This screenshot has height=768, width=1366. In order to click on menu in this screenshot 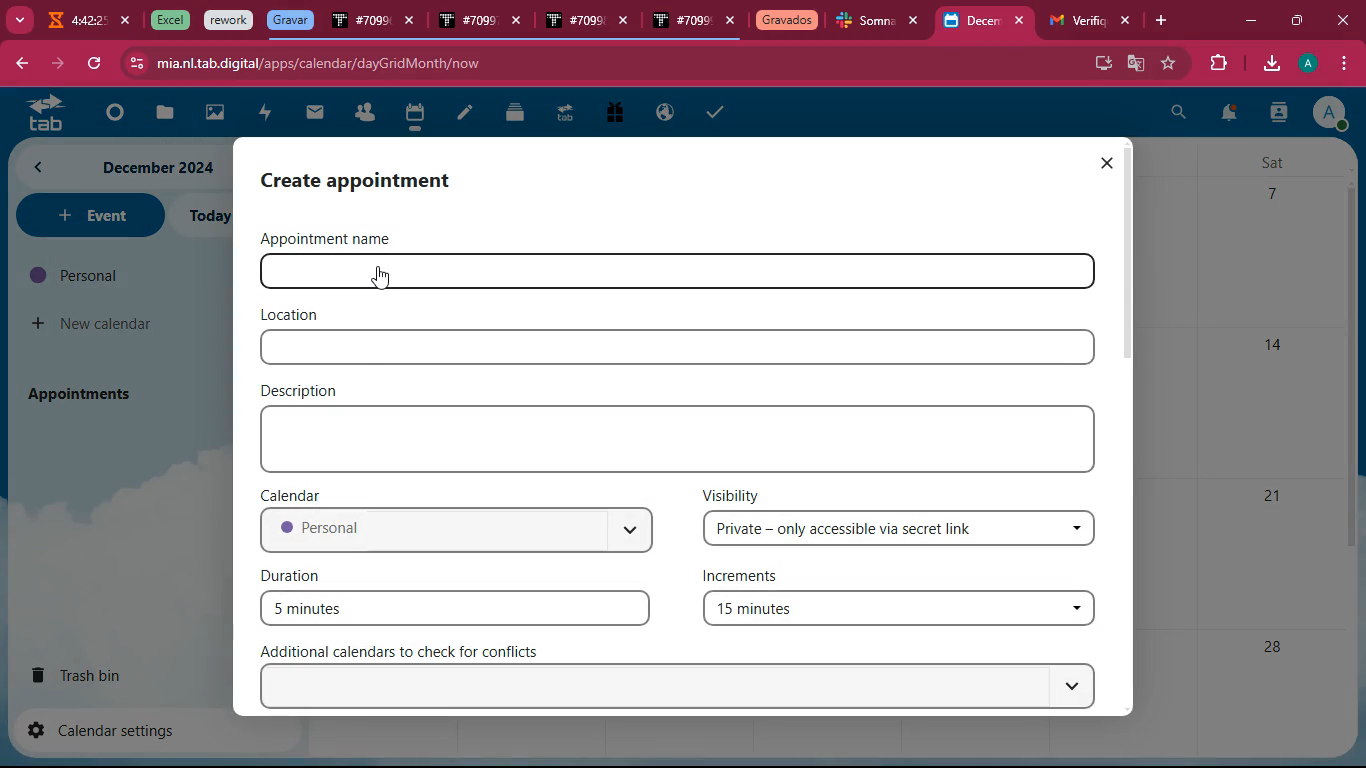, I will do `click(1341, 64)`.